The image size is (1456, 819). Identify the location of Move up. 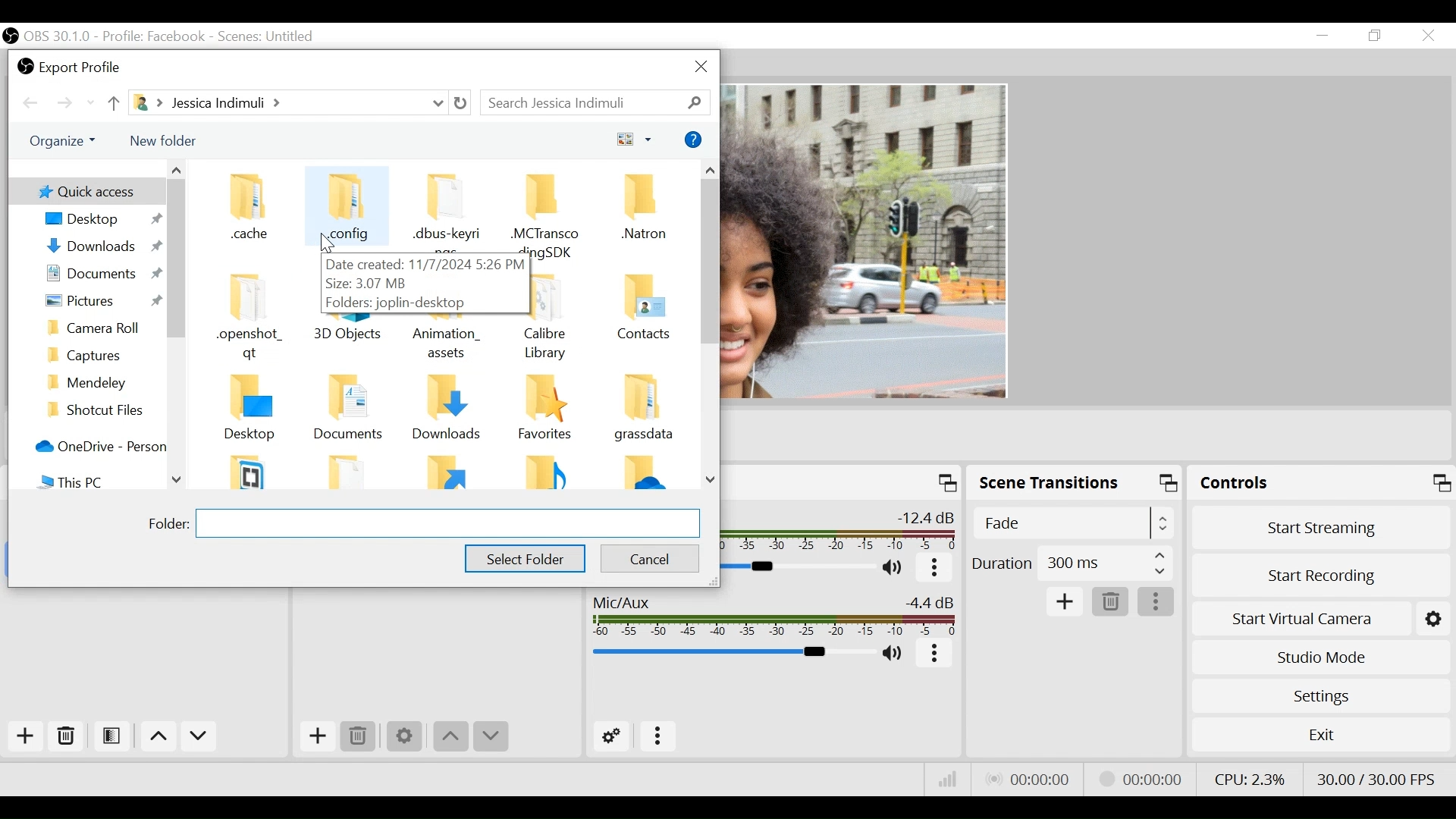
(158, 736).